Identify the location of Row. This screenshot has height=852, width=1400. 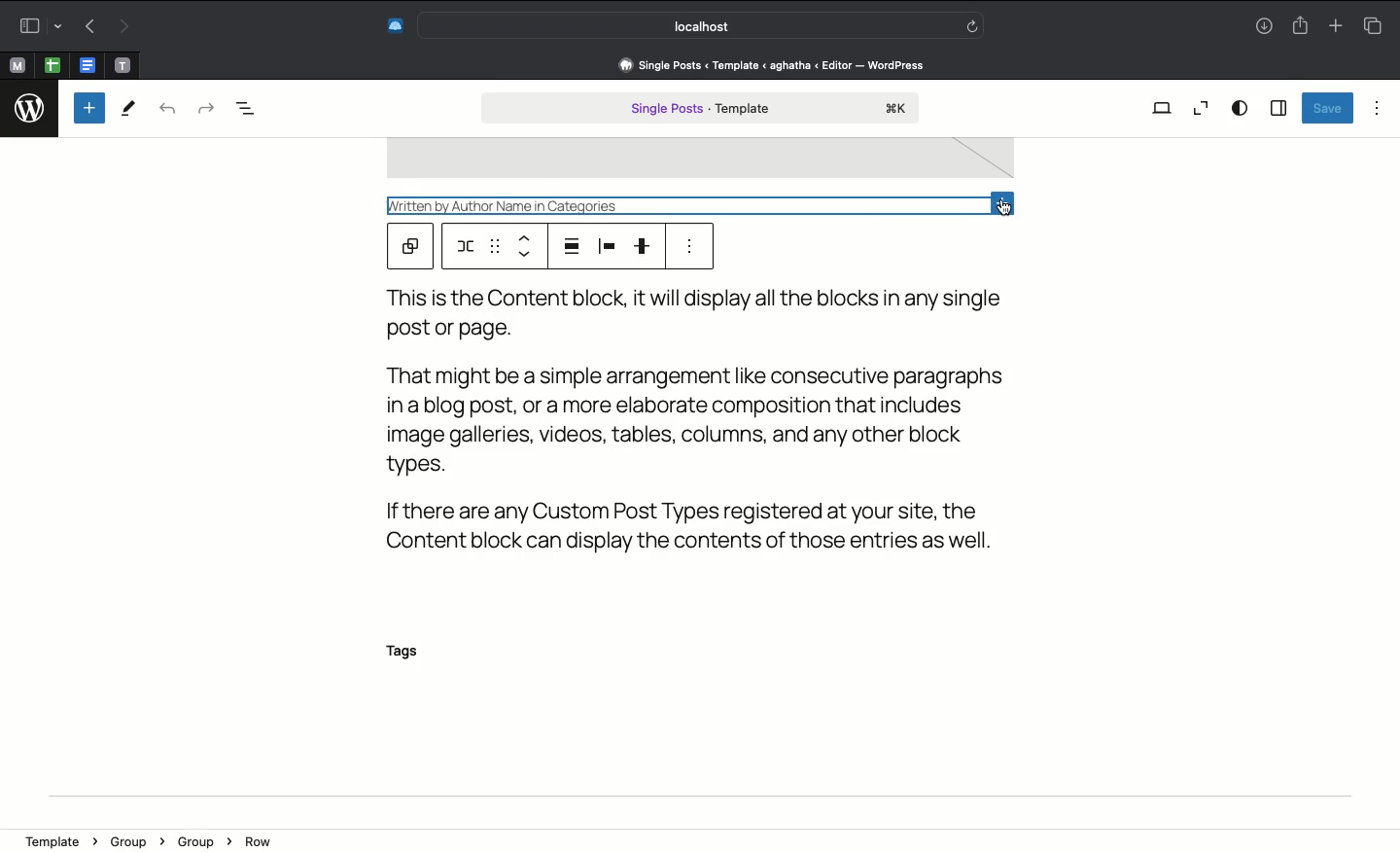
(465, 246).